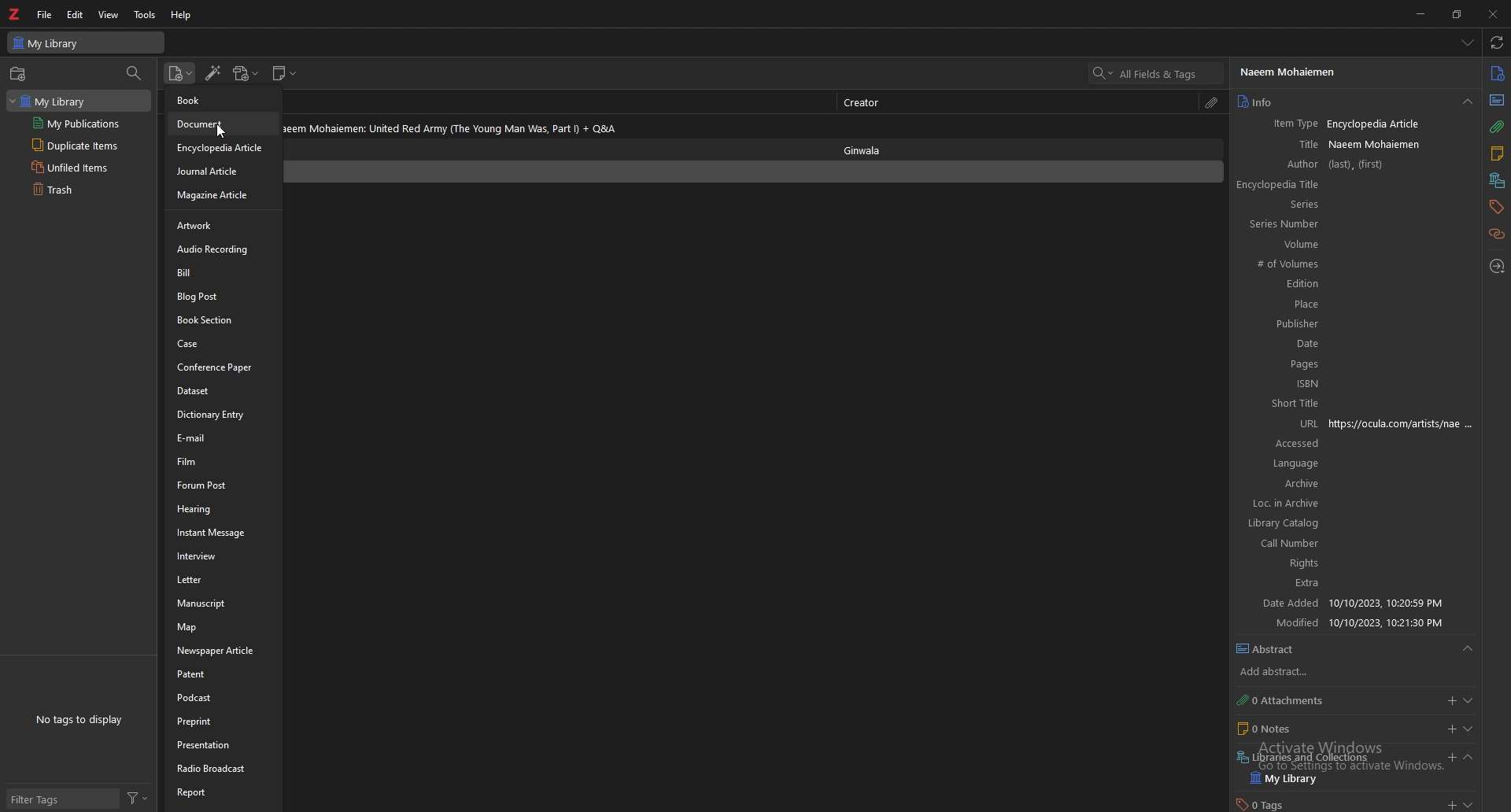 Image resolution: width=1511 pixels, height=812 pixels. What do you see at coordinates (223, 196) in the screenshot?
I see `magazine article` at bounding box center [223, 196].